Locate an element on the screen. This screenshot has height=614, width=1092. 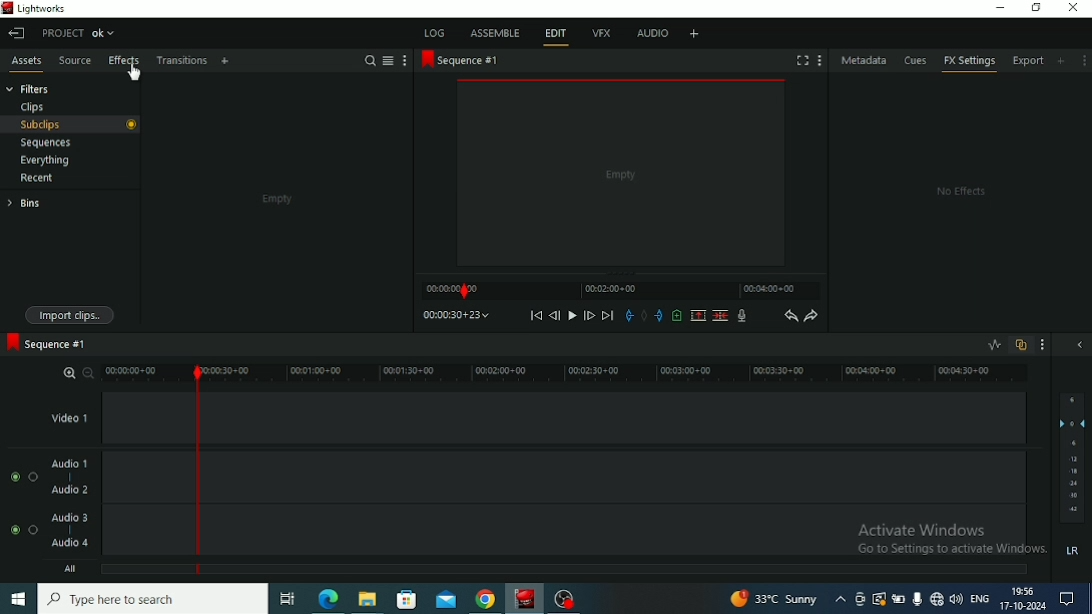
Export is located at coordinates (1030, 63).